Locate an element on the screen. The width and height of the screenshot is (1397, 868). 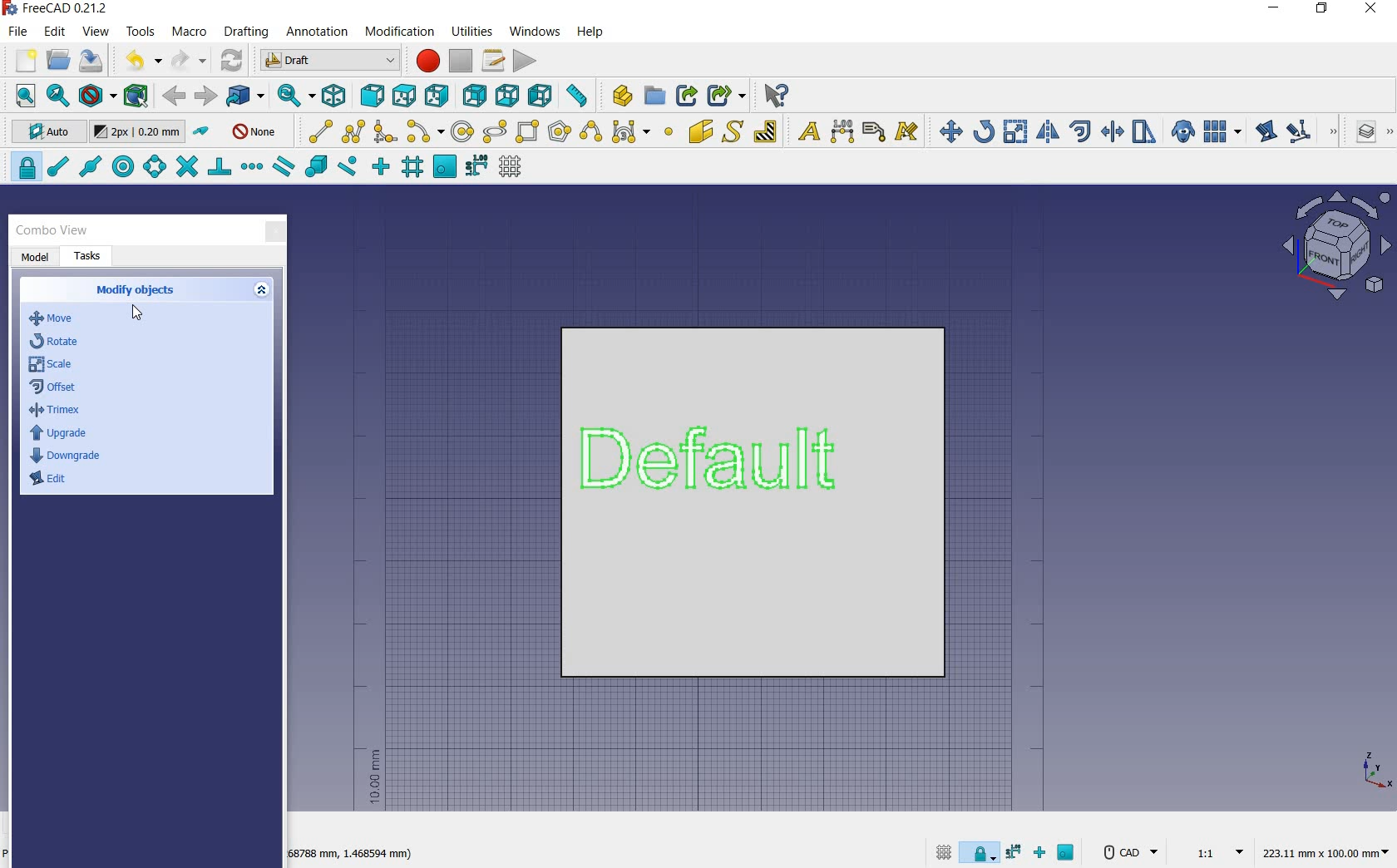
close is located at coordinates (275, 233).